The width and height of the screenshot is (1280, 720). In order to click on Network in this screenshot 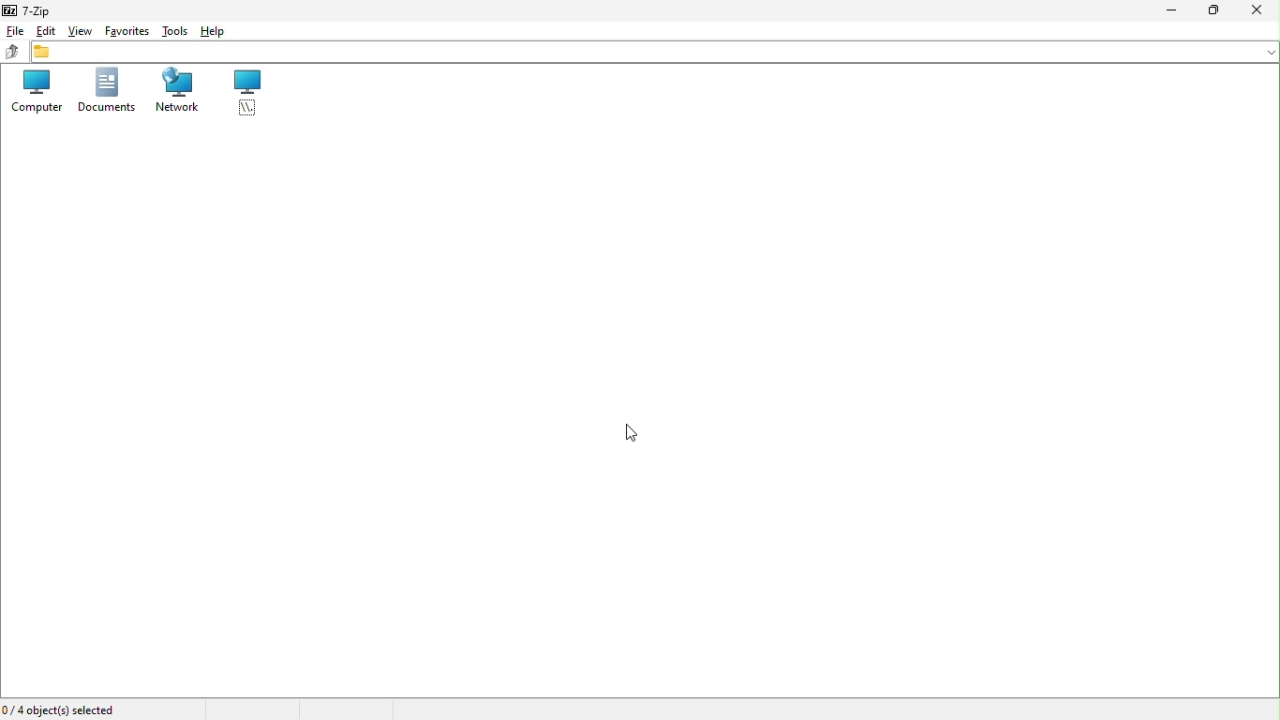, I will do `click(178, 93)`.